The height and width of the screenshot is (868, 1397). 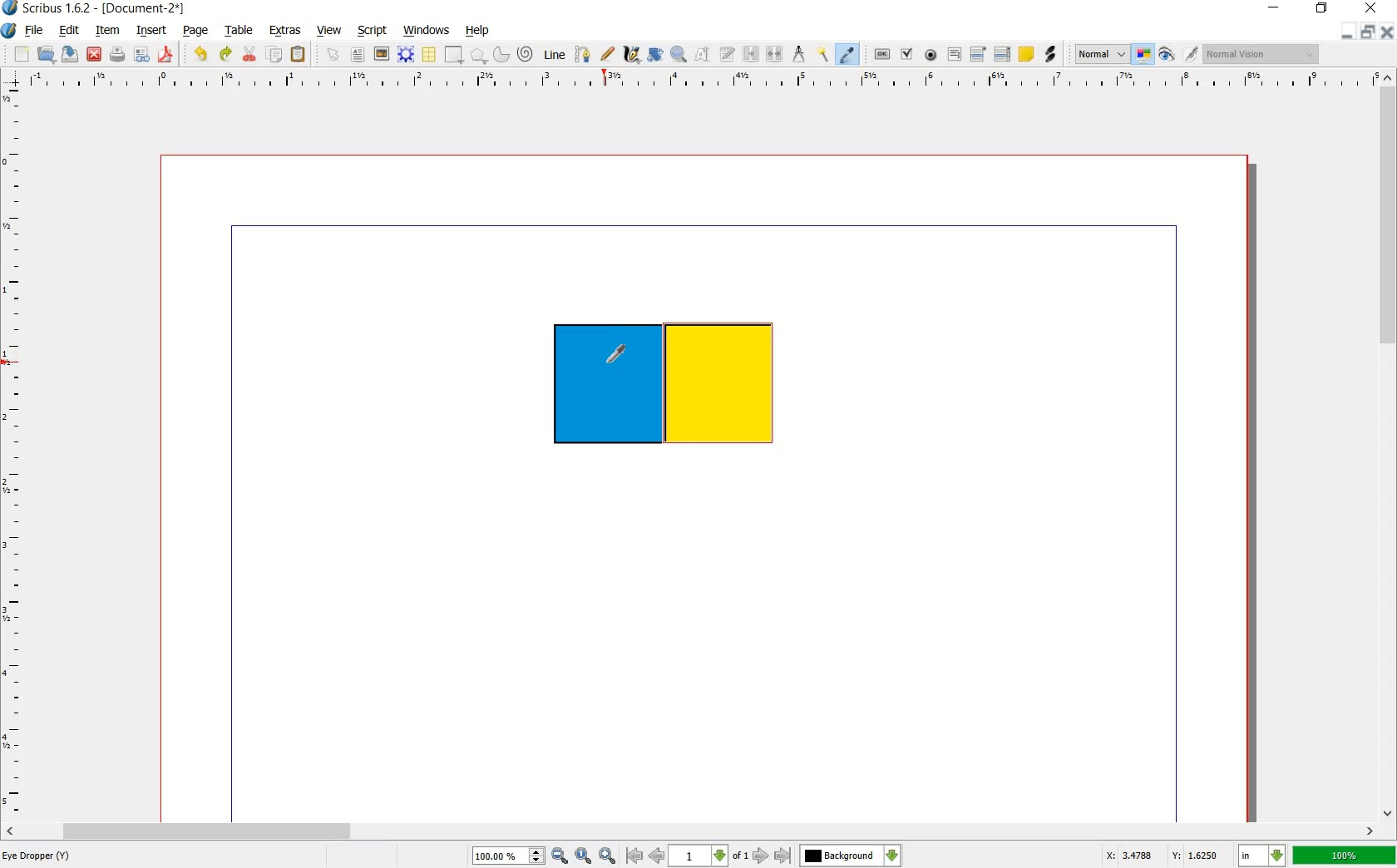 What do you see at coordinates (761, 856) in the screenshot?
I see `go to next page` at bounding box center [761, 856].